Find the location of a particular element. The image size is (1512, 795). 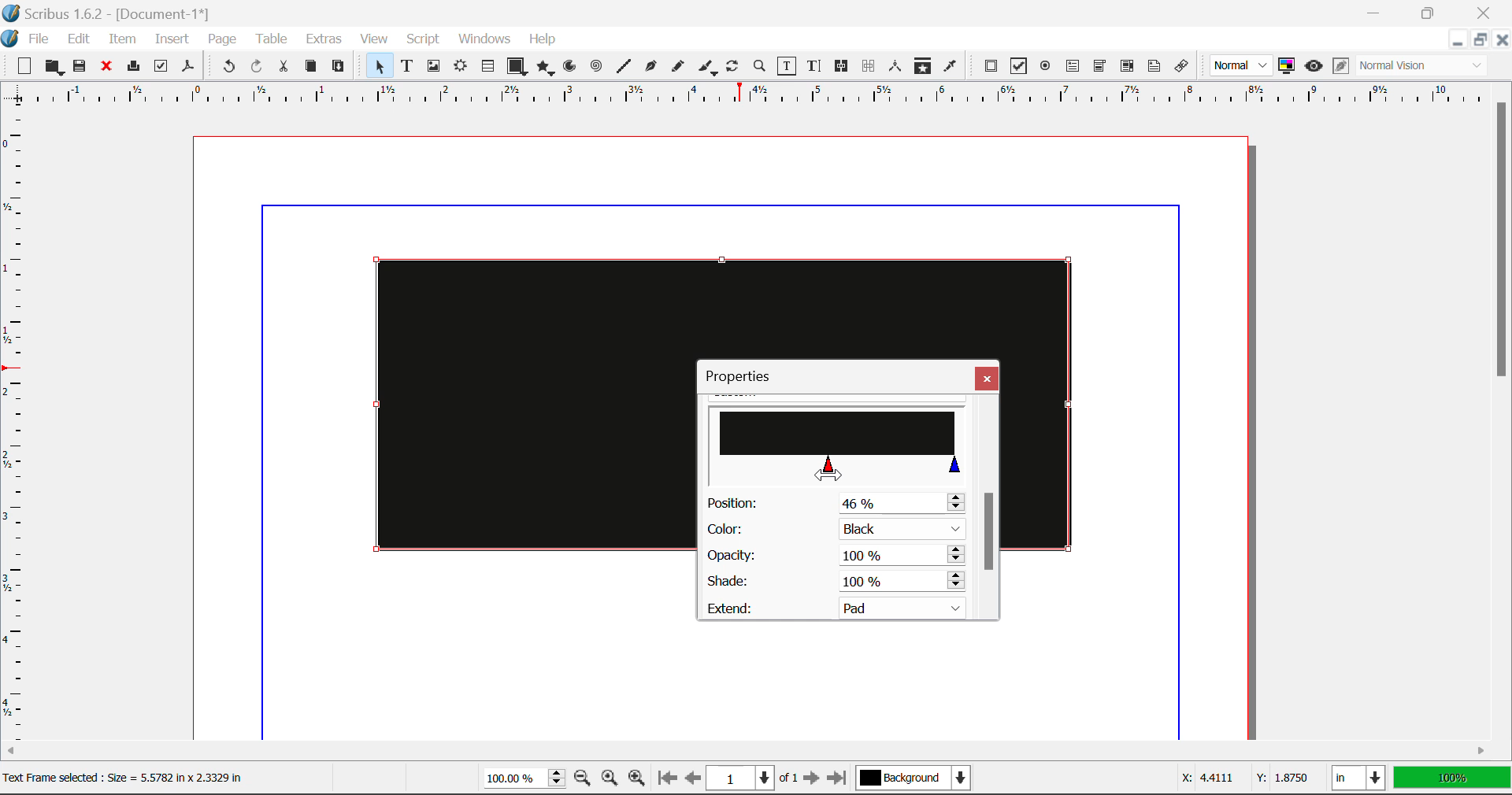

Text Frames is located at coordinates (407, 68).